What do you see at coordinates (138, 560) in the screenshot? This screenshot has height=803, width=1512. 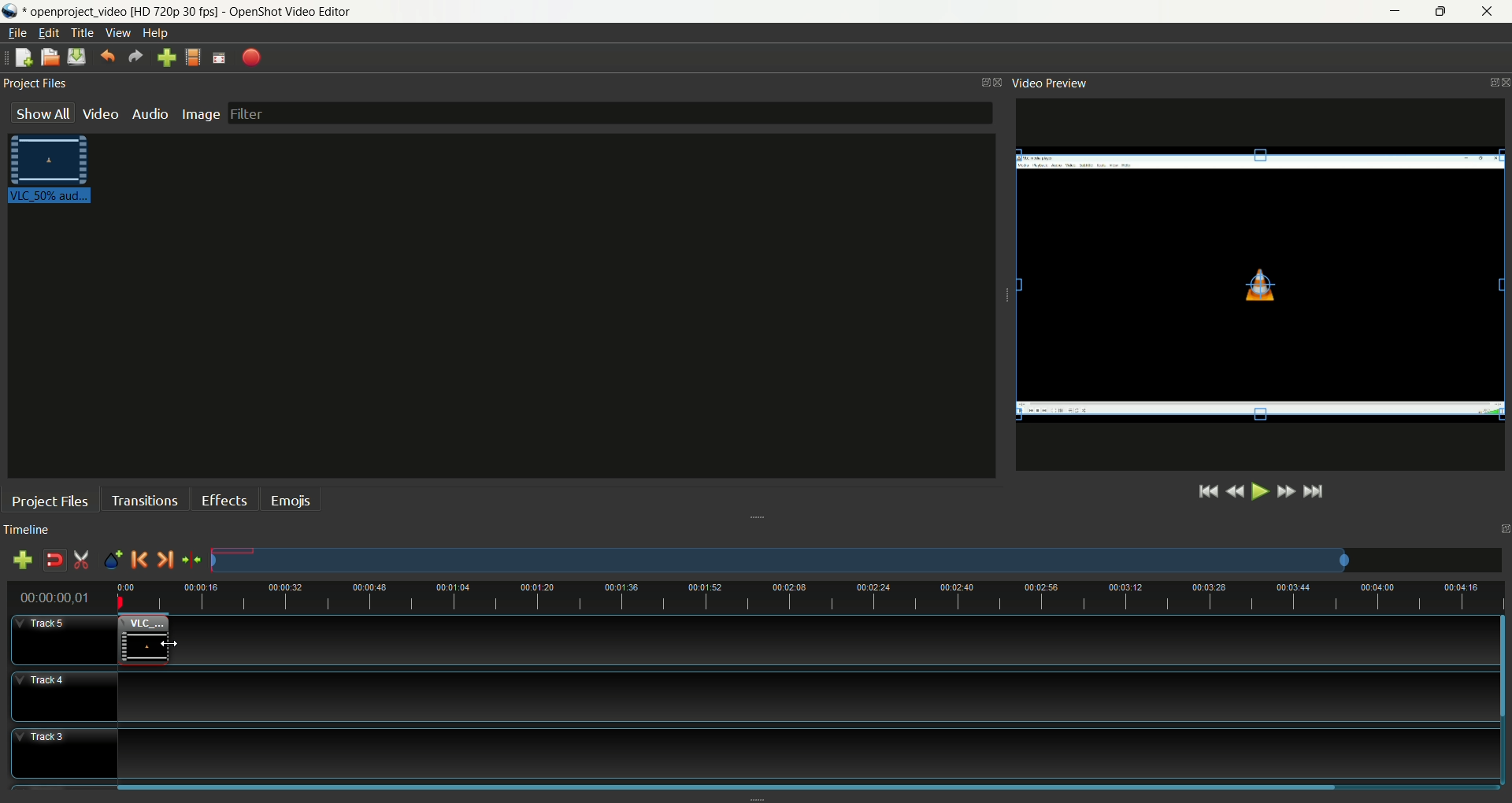 I see `previous marker` at bounding box center [138, 560].